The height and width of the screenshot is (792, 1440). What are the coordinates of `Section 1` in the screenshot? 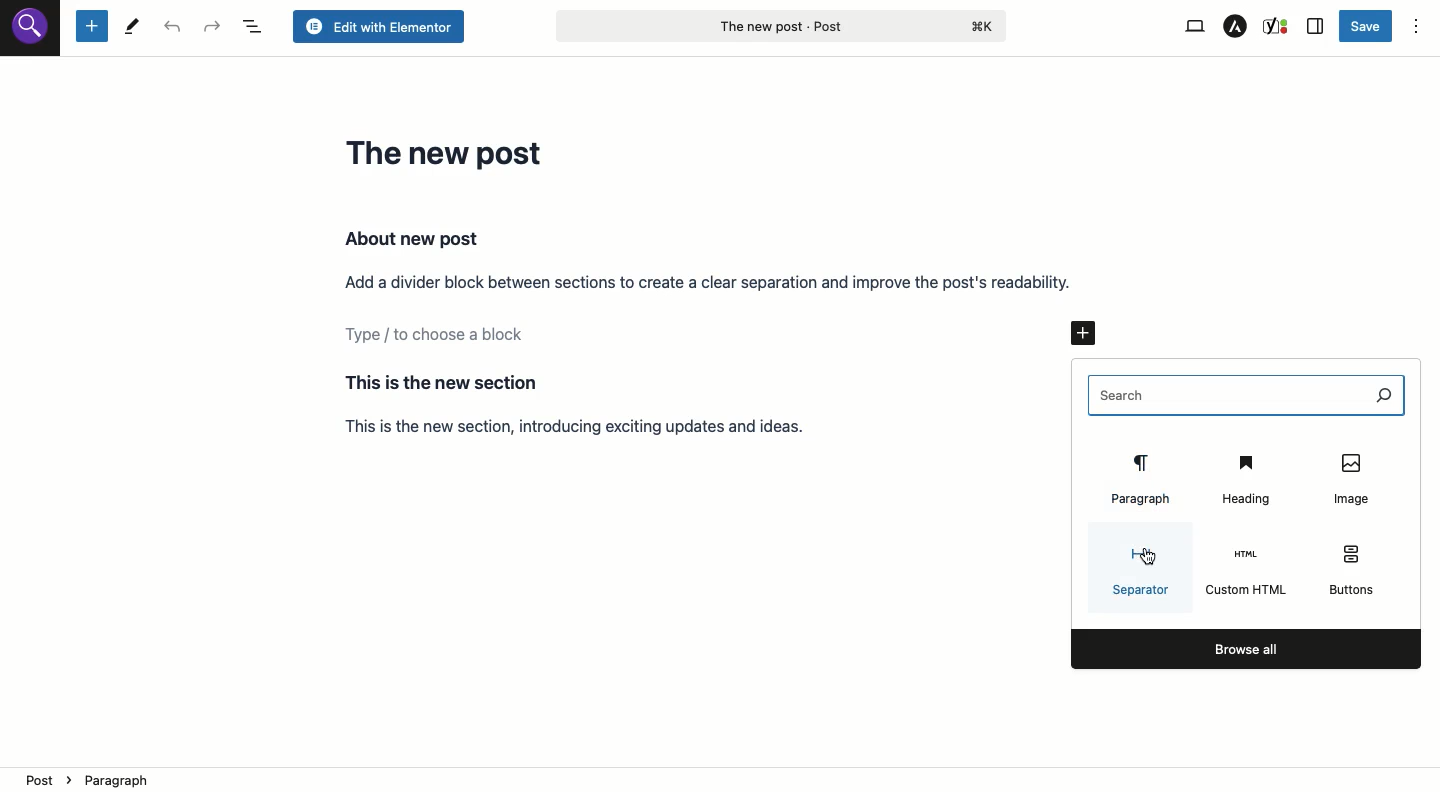 It's located at (709, 259).